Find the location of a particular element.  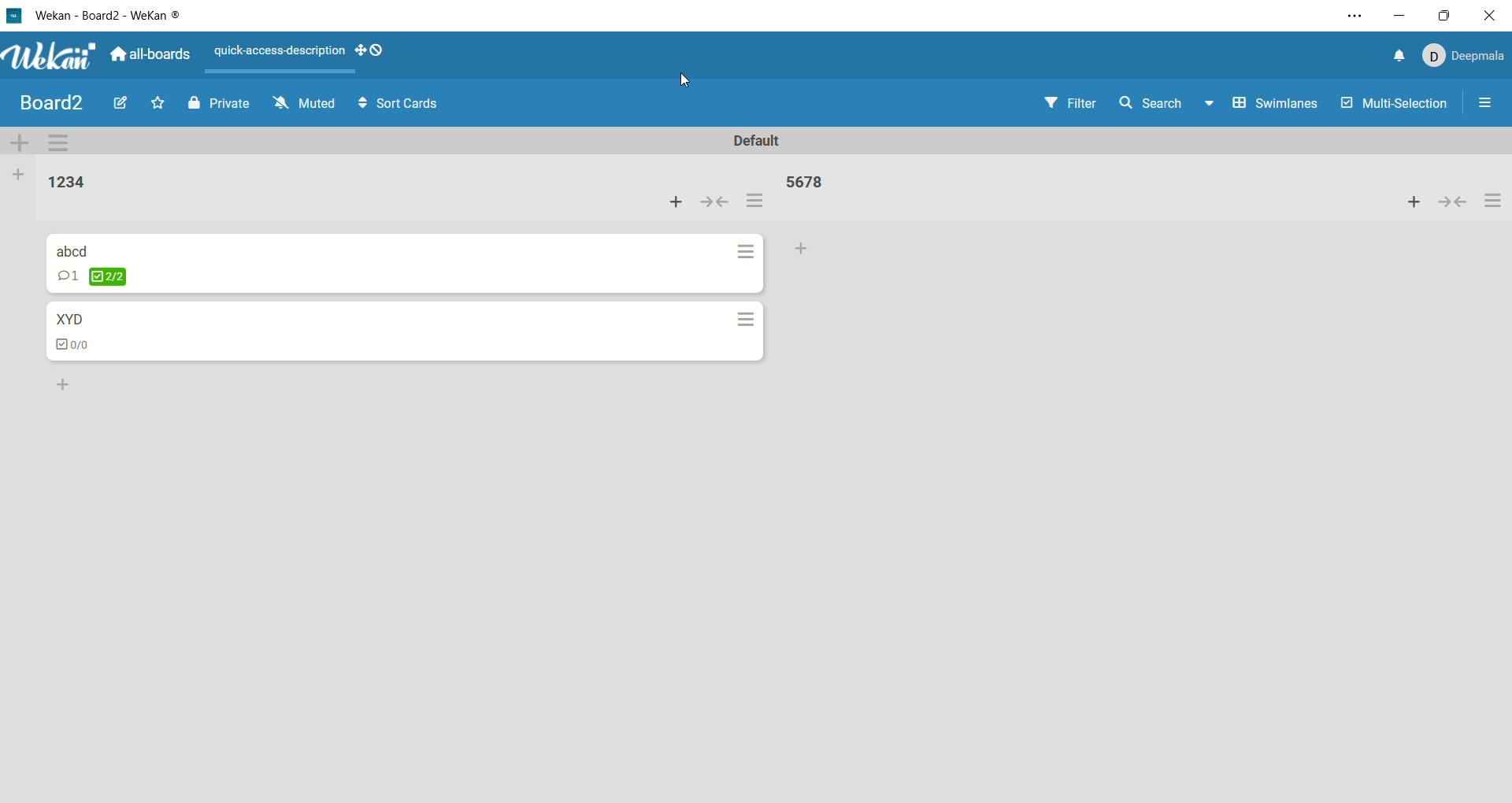

collapse is located at coordinates (713, 203).